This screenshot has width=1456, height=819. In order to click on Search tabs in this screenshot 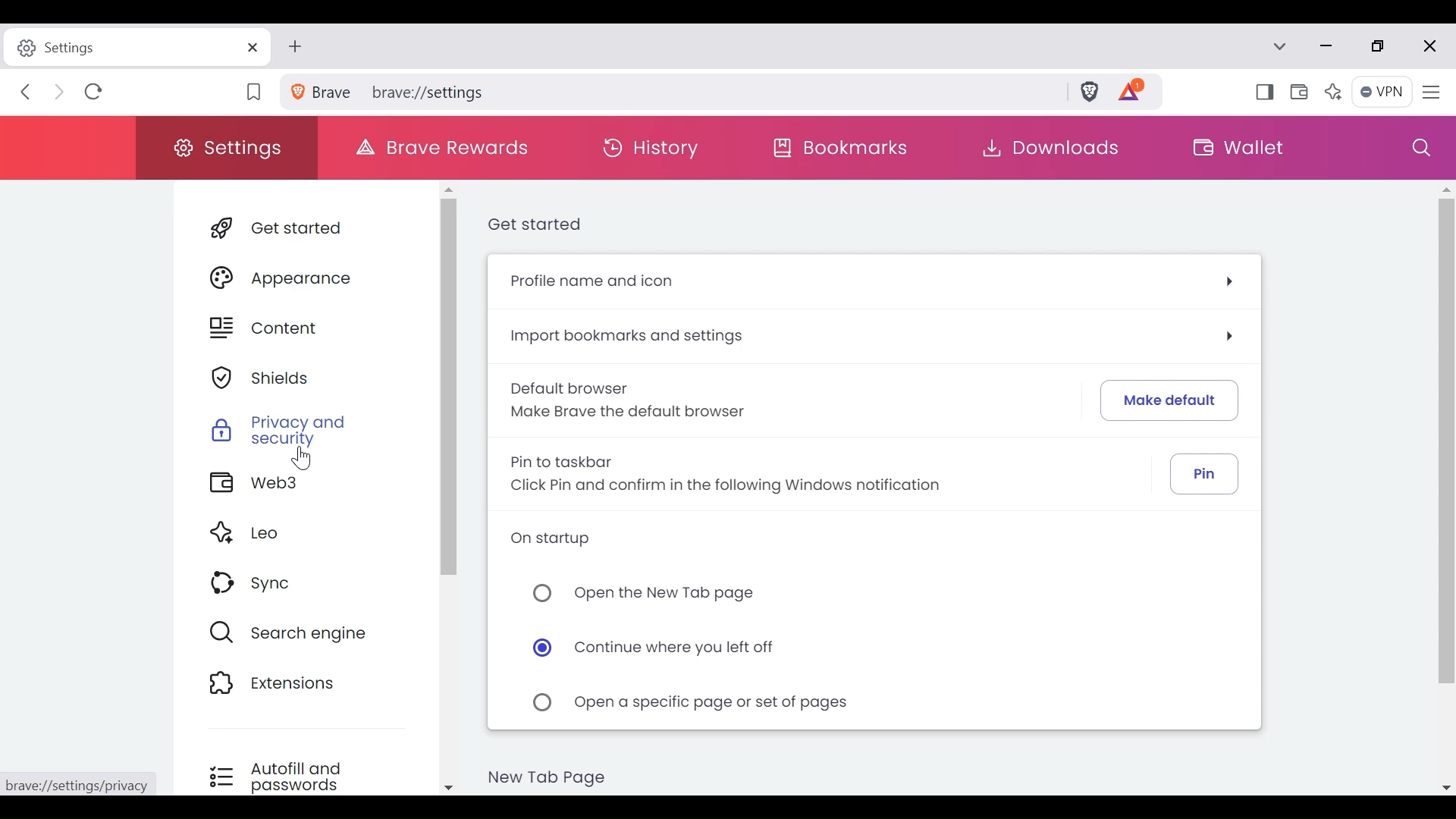, I will do `click(1284, 48)`.